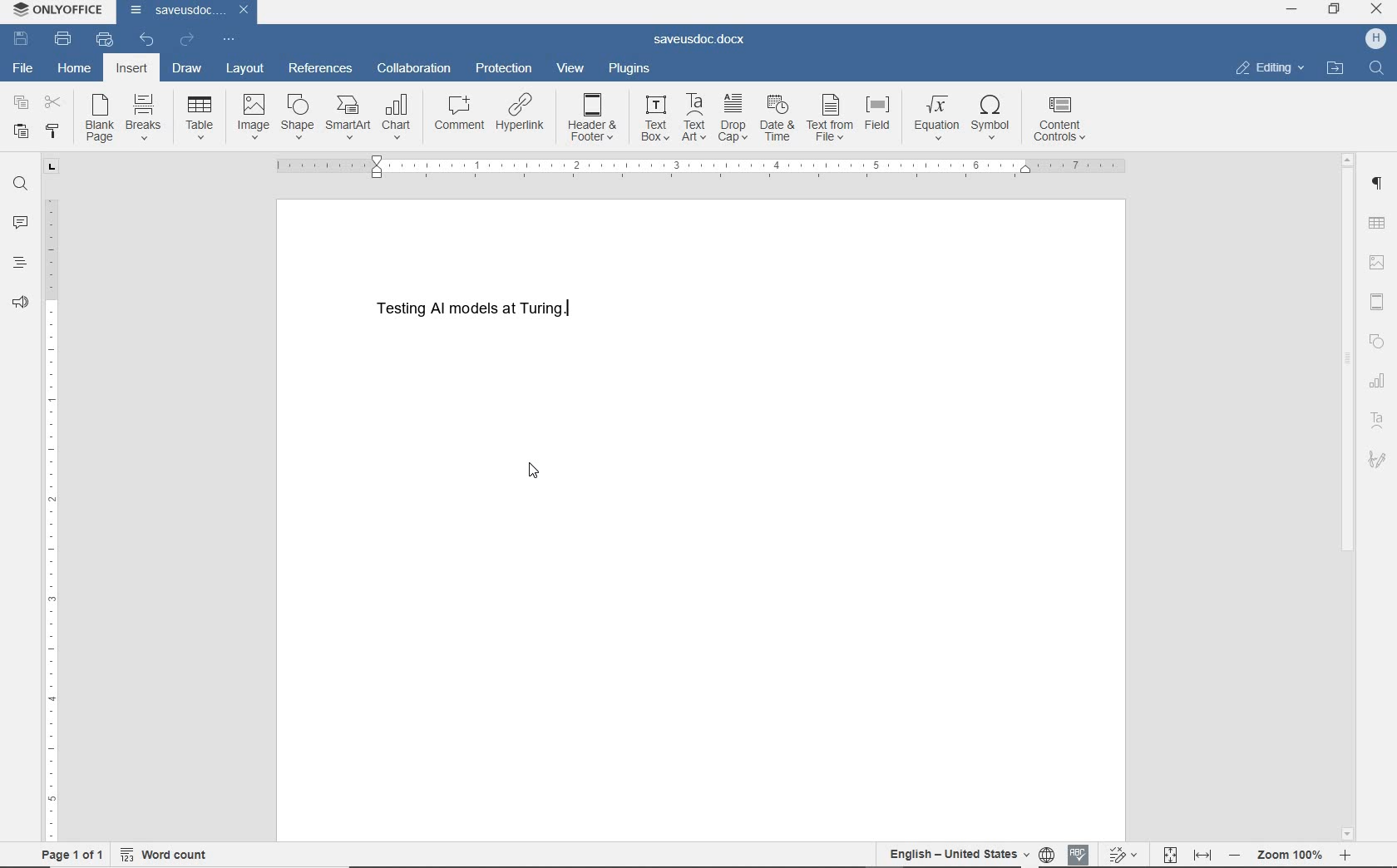 The image size is (1397, 868). Describe the element at coordinates (593, 116) in the screenshot. I see `header & footer` at that location.